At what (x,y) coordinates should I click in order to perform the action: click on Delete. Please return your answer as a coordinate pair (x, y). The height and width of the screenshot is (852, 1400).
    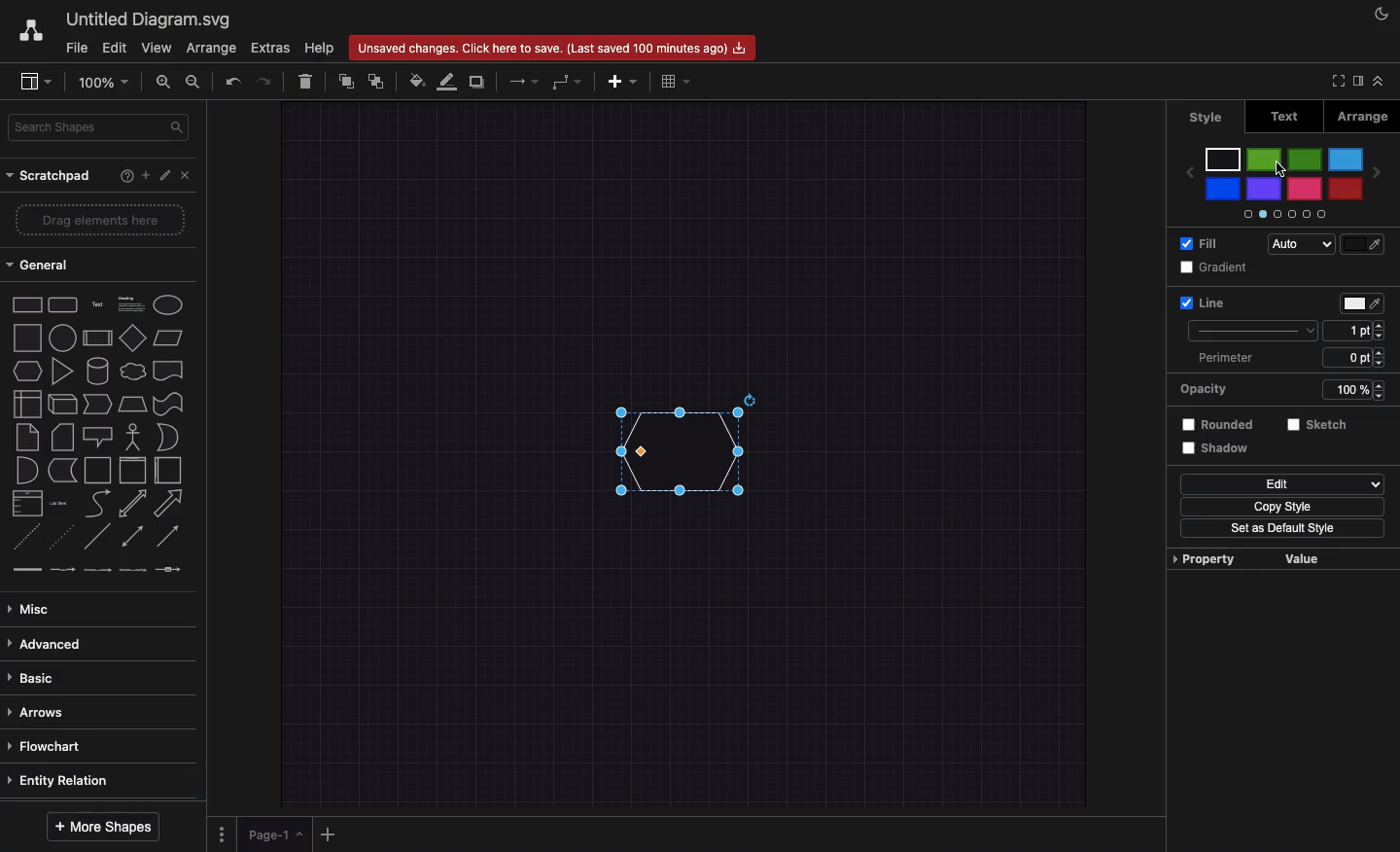
    Looking at the image, I should click on (309, 83).